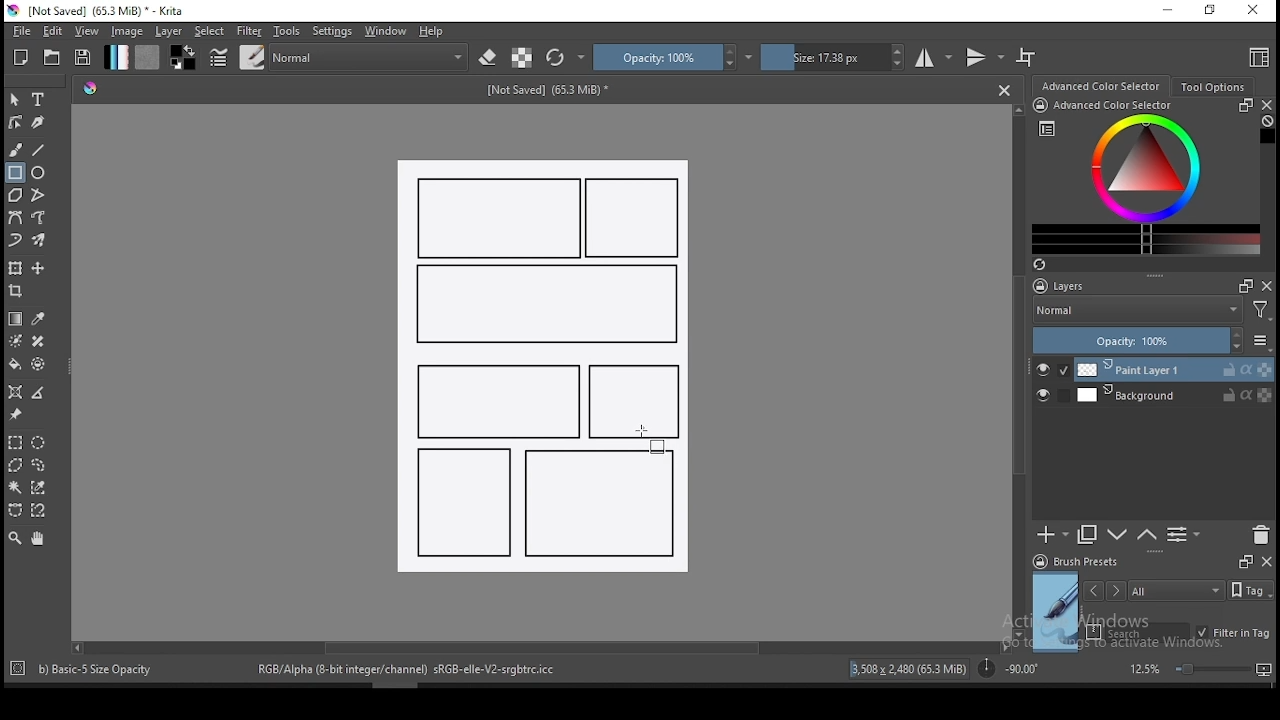 This screenshot has width=1280, height=720. Describe the element at coordinates (36, 510) in the screenshot. I see `magnetic curve selection tool` at that location.